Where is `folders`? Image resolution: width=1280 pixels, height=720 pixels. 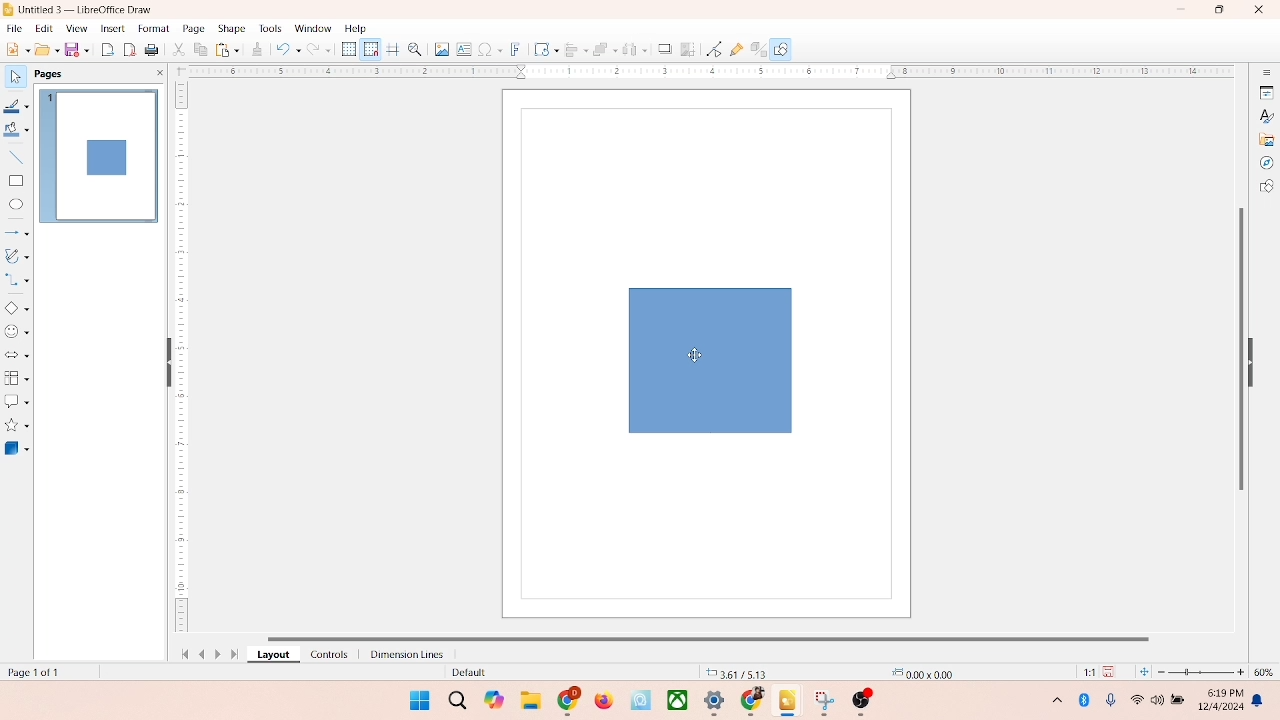 folders is located at coordinates (530, 698).